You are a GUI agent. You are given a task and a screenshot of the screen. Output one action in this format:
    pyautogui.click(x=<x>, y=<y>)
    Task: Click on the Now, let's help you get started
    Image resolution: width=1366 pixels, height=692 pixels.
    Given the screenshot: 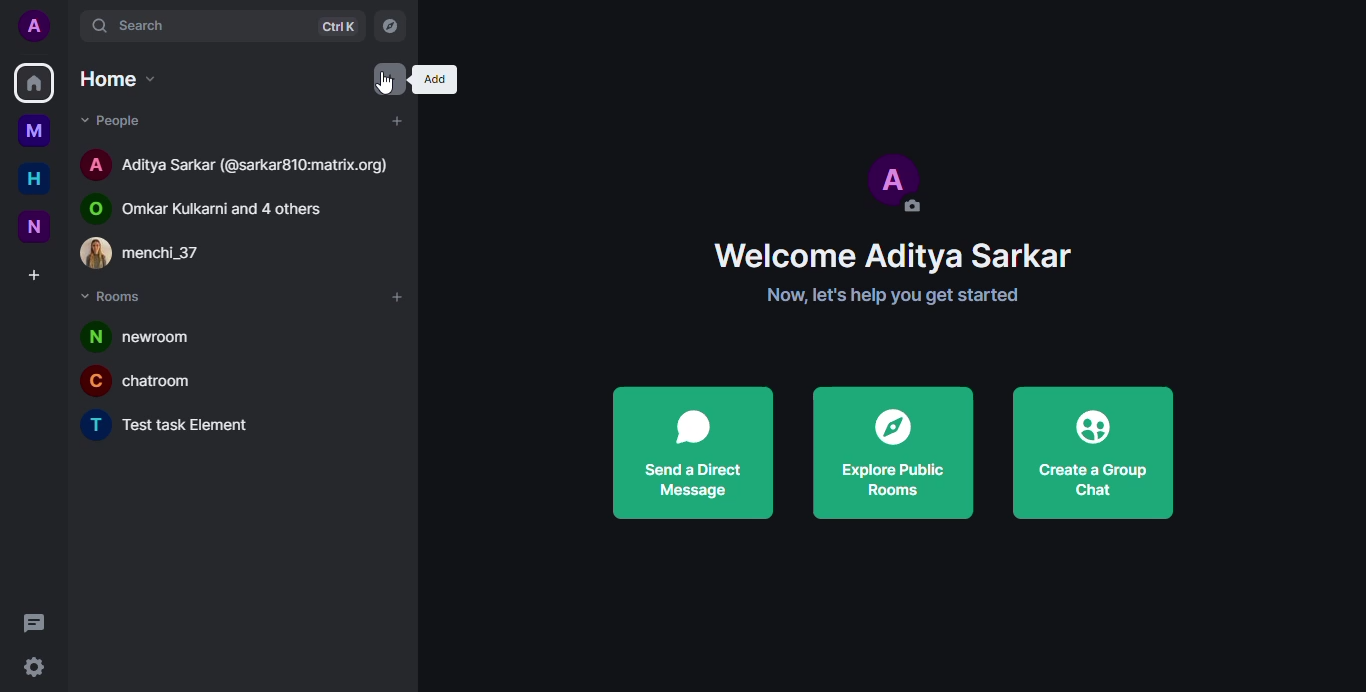 What is the action you would take?
    pyautogui.click(x=898, y=295)
    